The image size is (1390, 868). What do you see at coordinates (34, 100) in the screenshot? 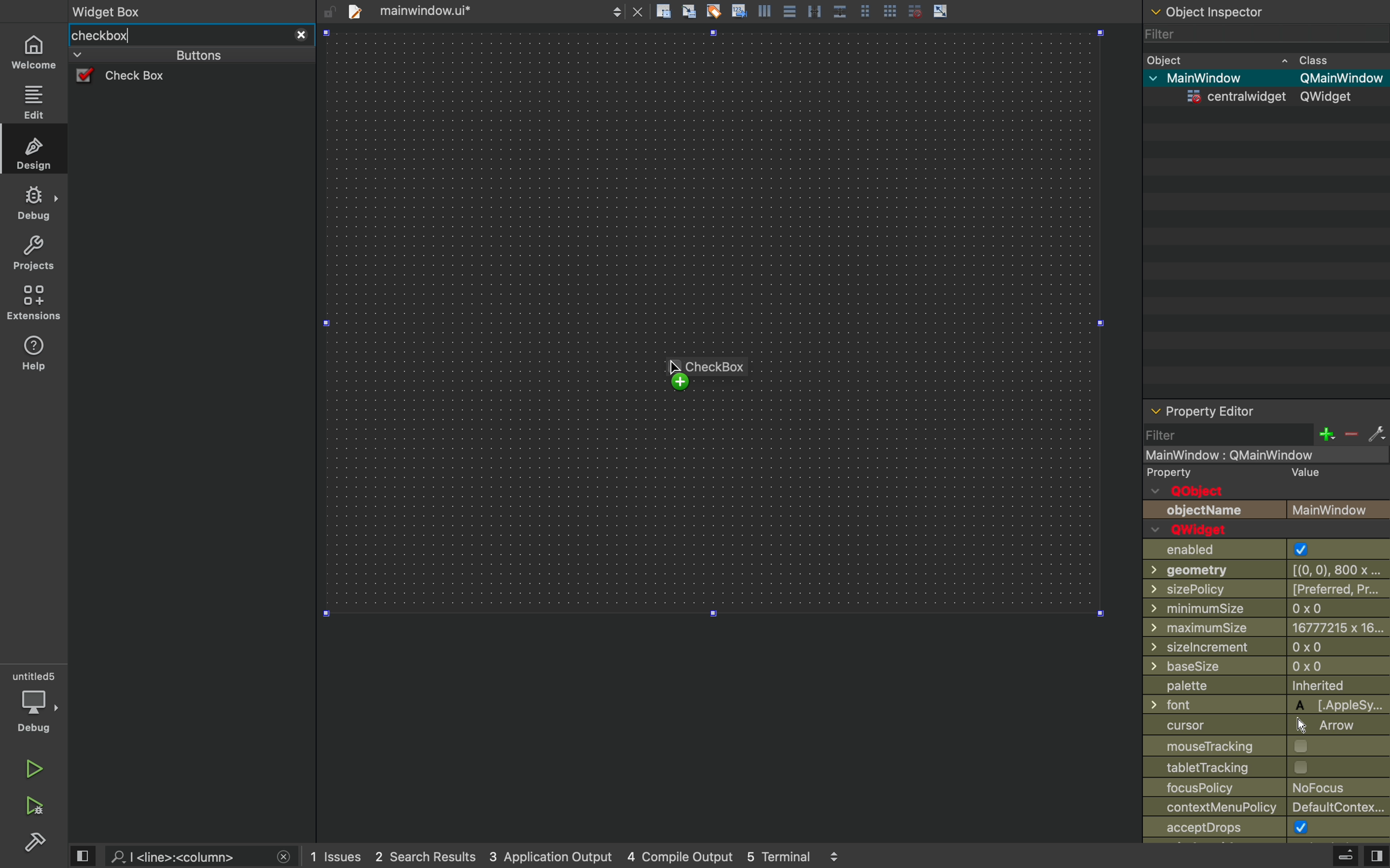
I see `edit` at bounding box center [34, 100].